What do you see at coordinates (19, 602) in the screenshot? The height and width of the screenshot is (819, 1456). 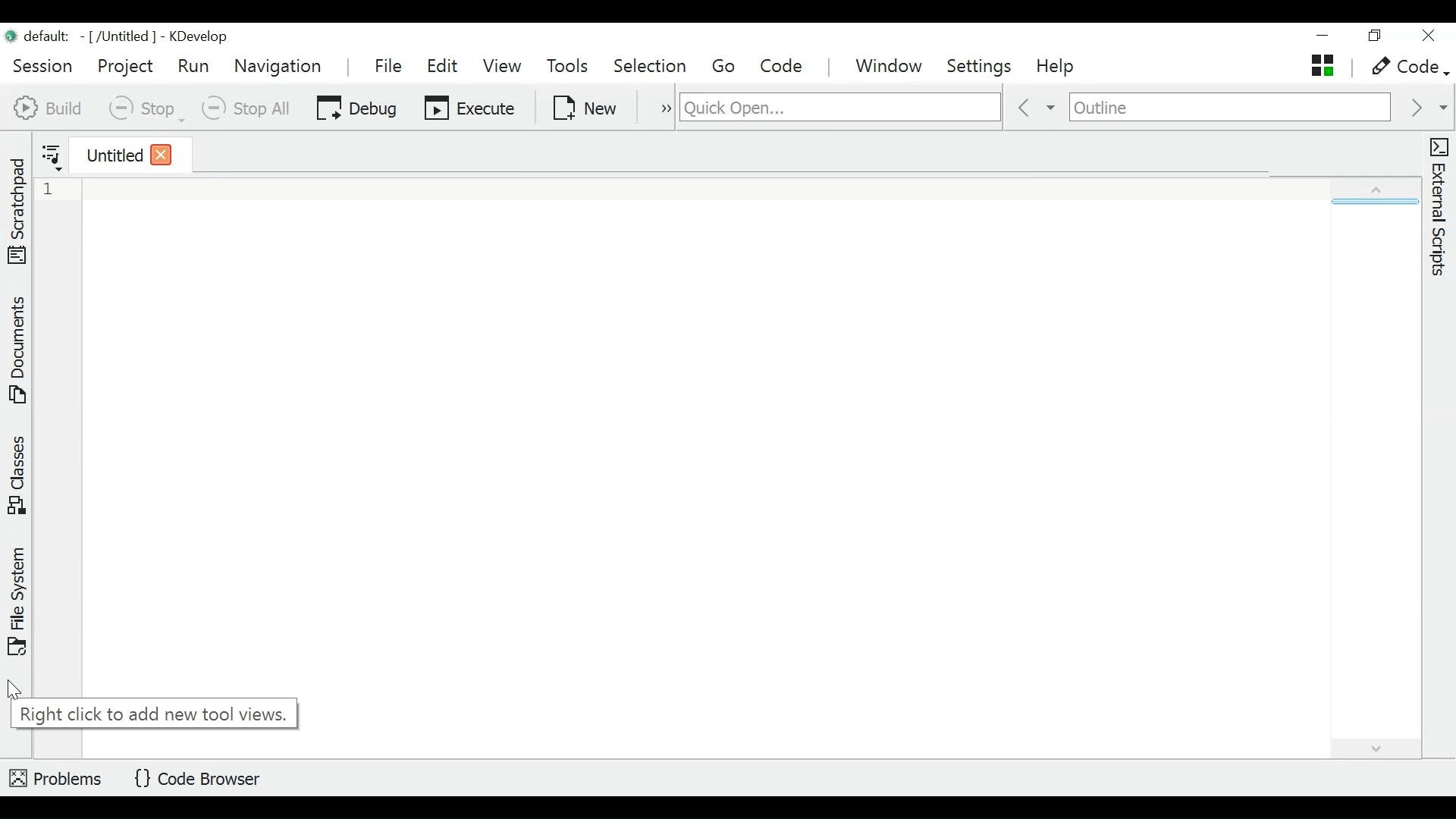 I see `File System` at bounding box center [19, 602].